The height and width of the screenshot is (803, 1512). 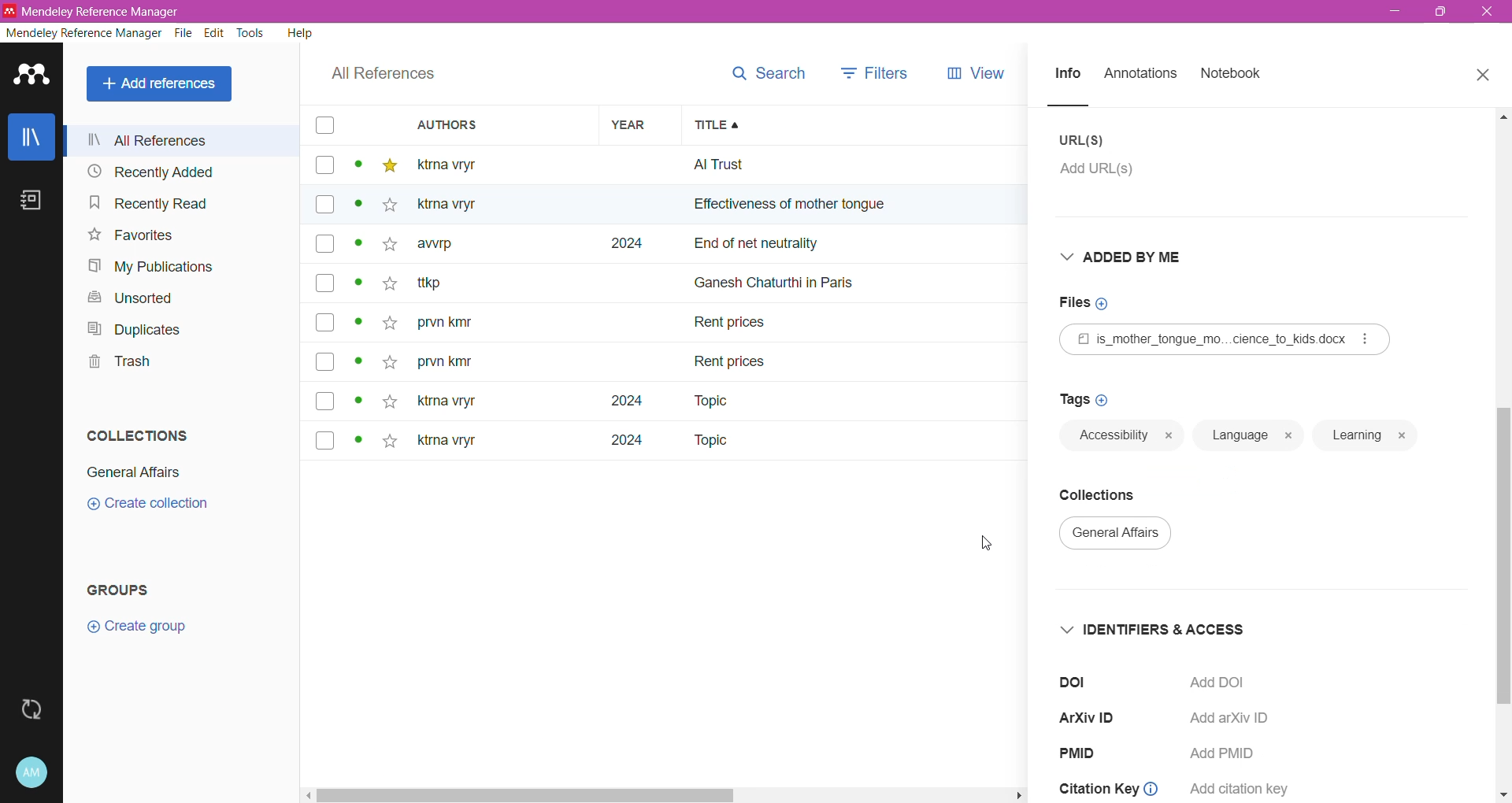 I want to click on ArXiV ID, so click(x=1090, y=717).